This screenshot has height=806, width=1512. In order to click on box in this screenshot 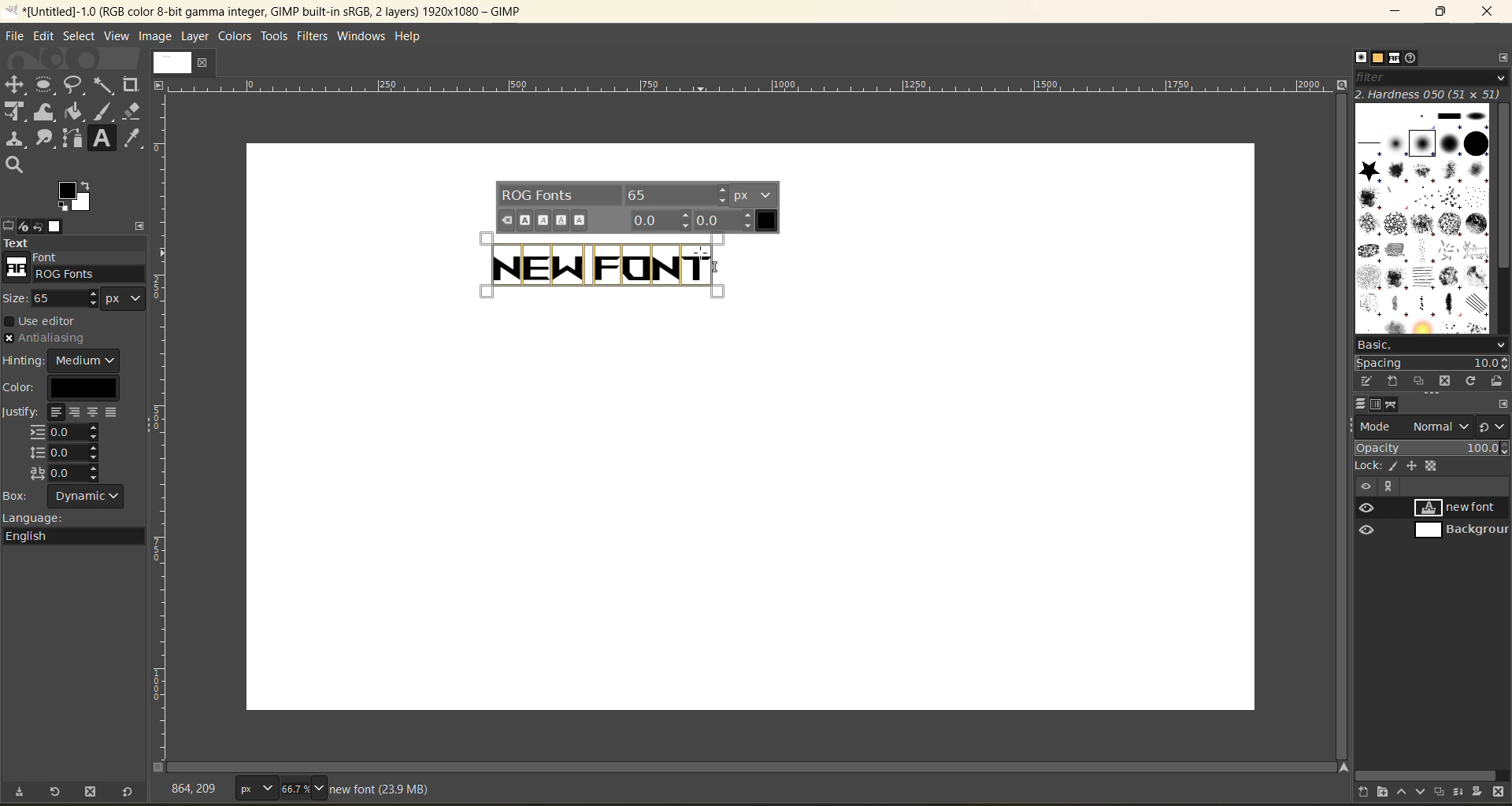, I will do `click(72, 497)`.